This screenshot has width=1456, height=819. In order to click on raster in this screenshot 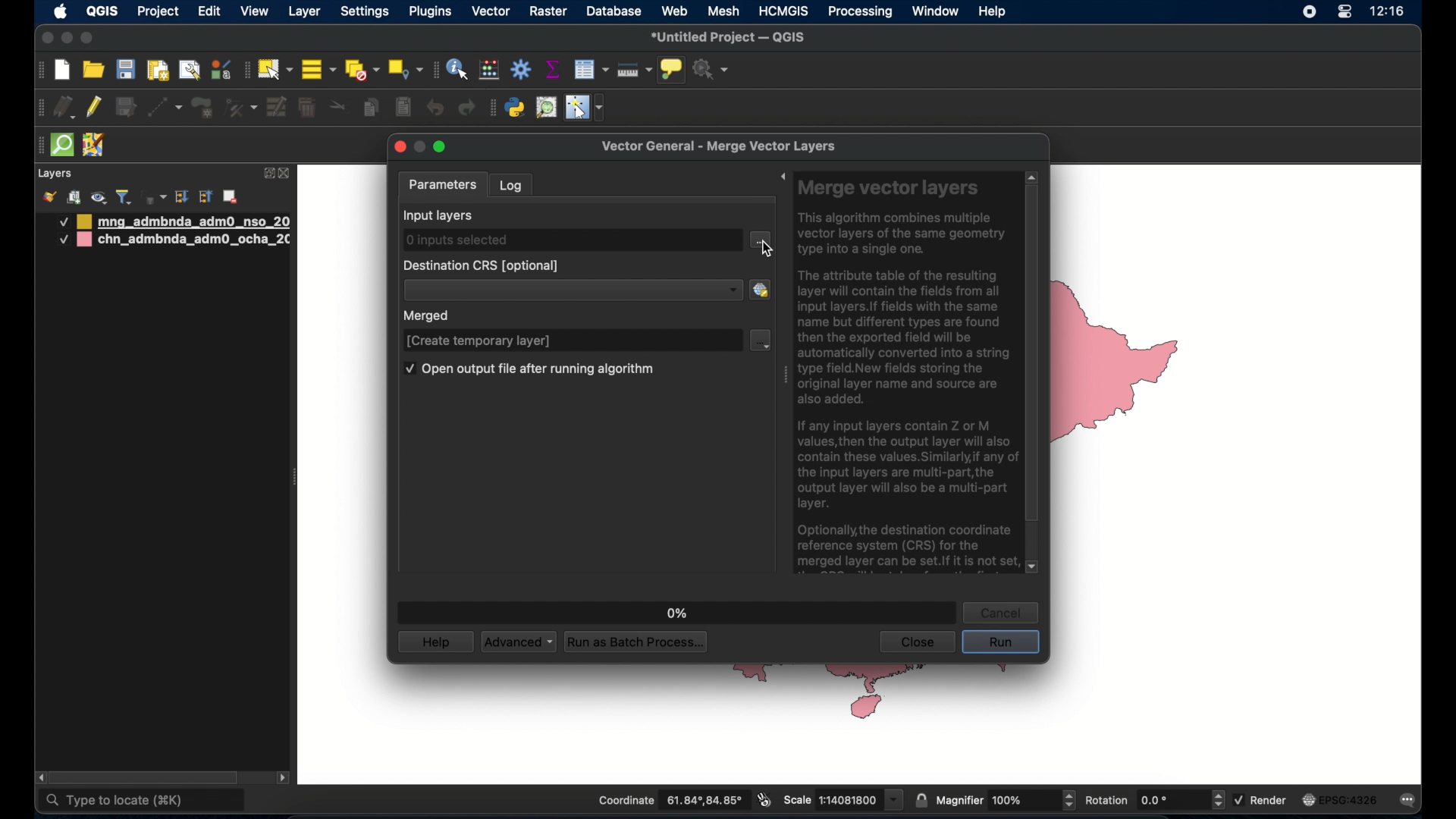, I will do `click(548, 12)`.